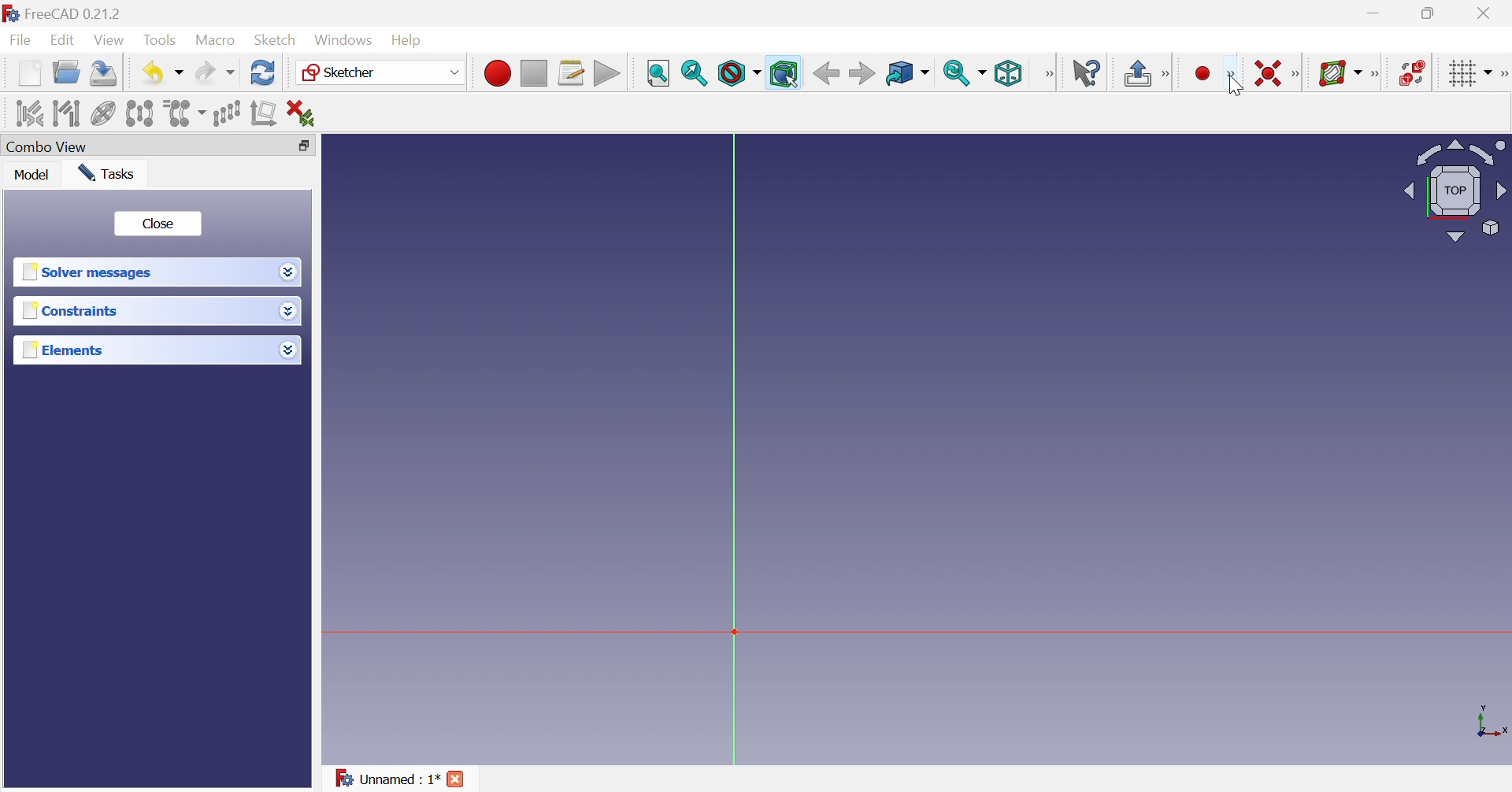 The image size is (1512, 792). Describe the element at coordinates (264, 73) in the screenshot. I see `Refresh` at that location.